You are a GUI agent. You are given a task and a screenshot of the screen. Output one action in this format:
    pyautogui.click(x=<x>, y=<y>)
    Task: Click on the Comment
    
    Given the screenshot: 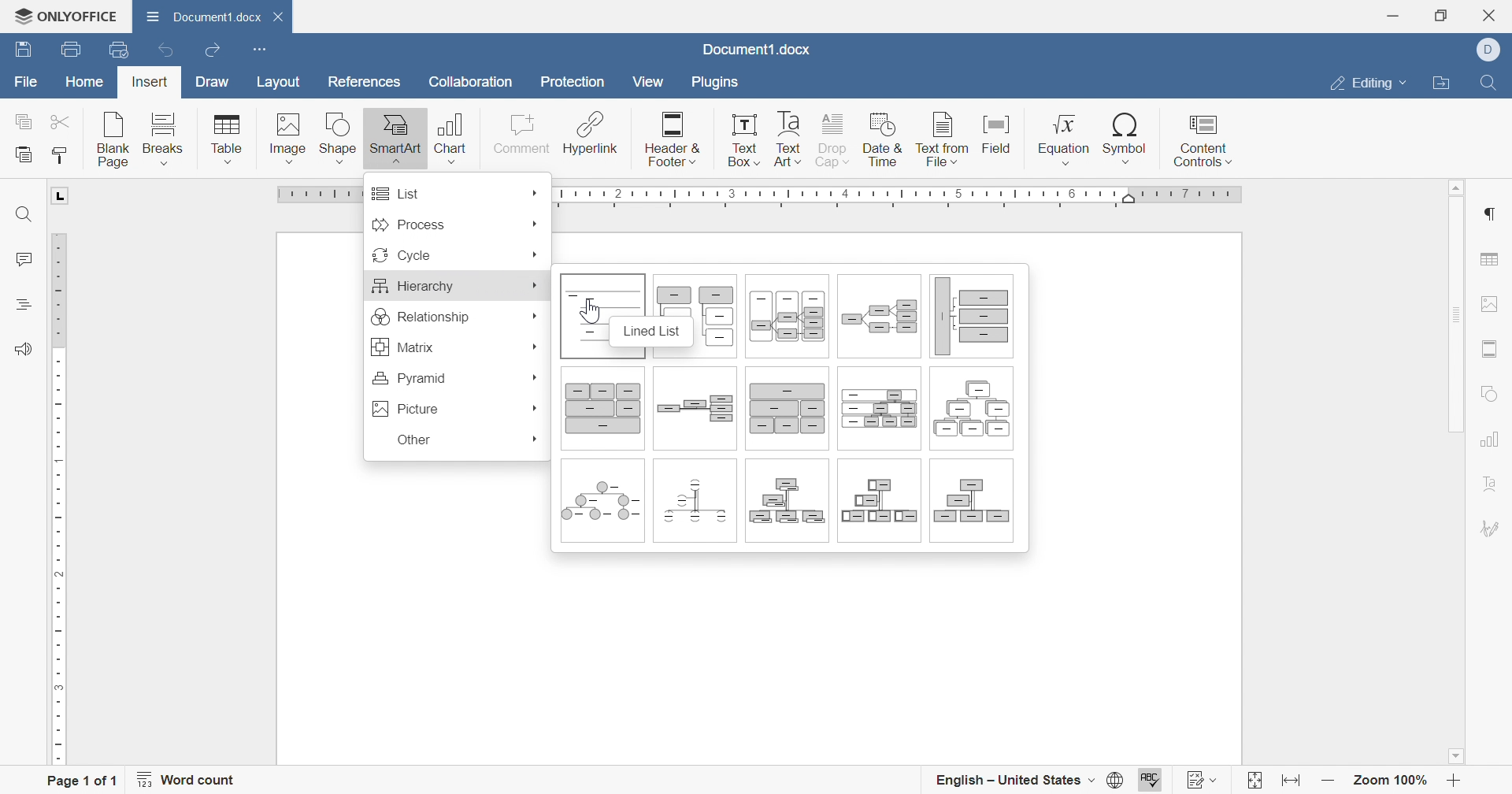 What is the action you would take?
    pyautogui.click(x=517, y=135)
    